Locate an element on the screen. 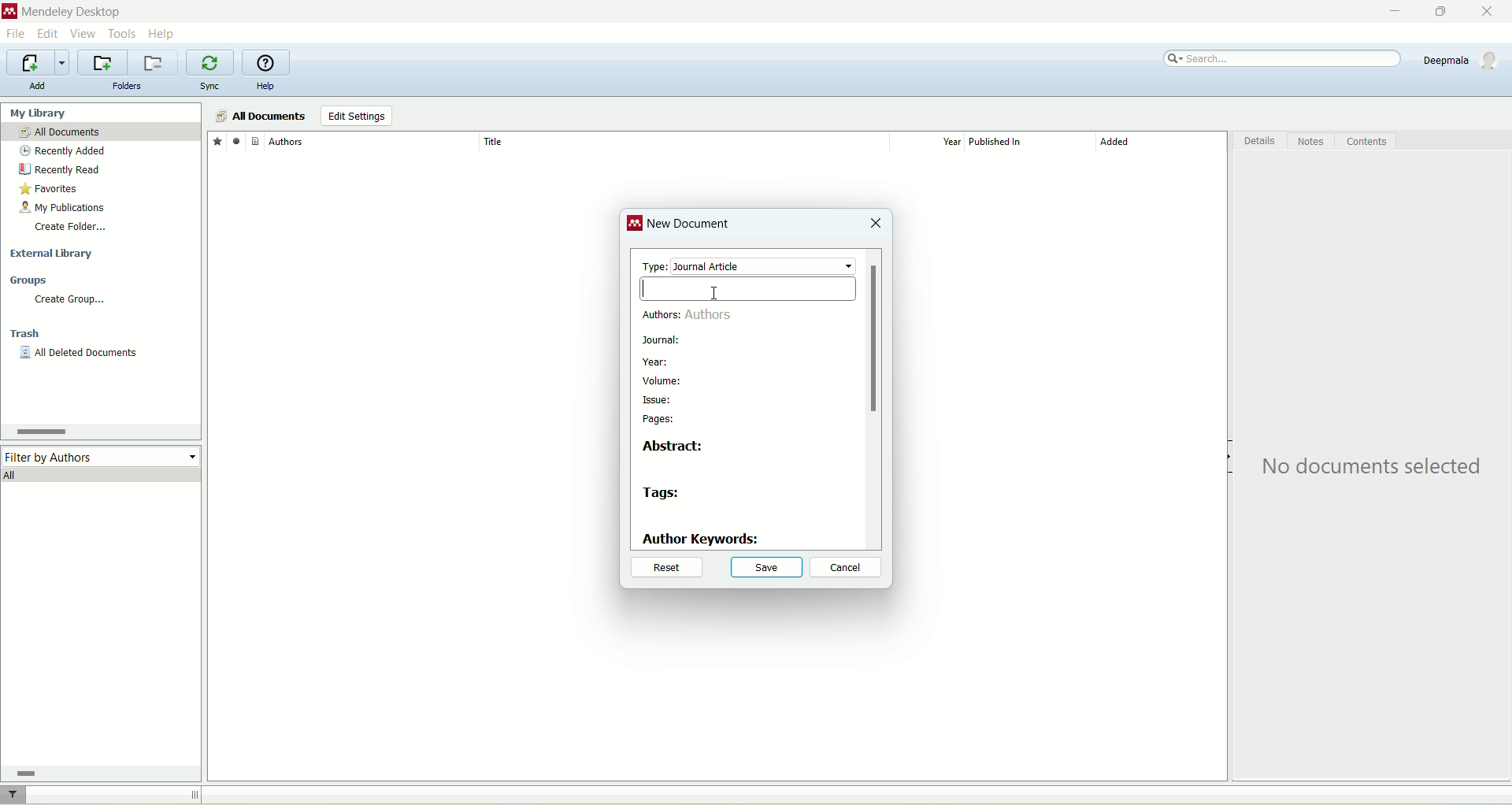 The height and width of the screenshot is (805, 1512). filter is located at coordinates (15, 795).